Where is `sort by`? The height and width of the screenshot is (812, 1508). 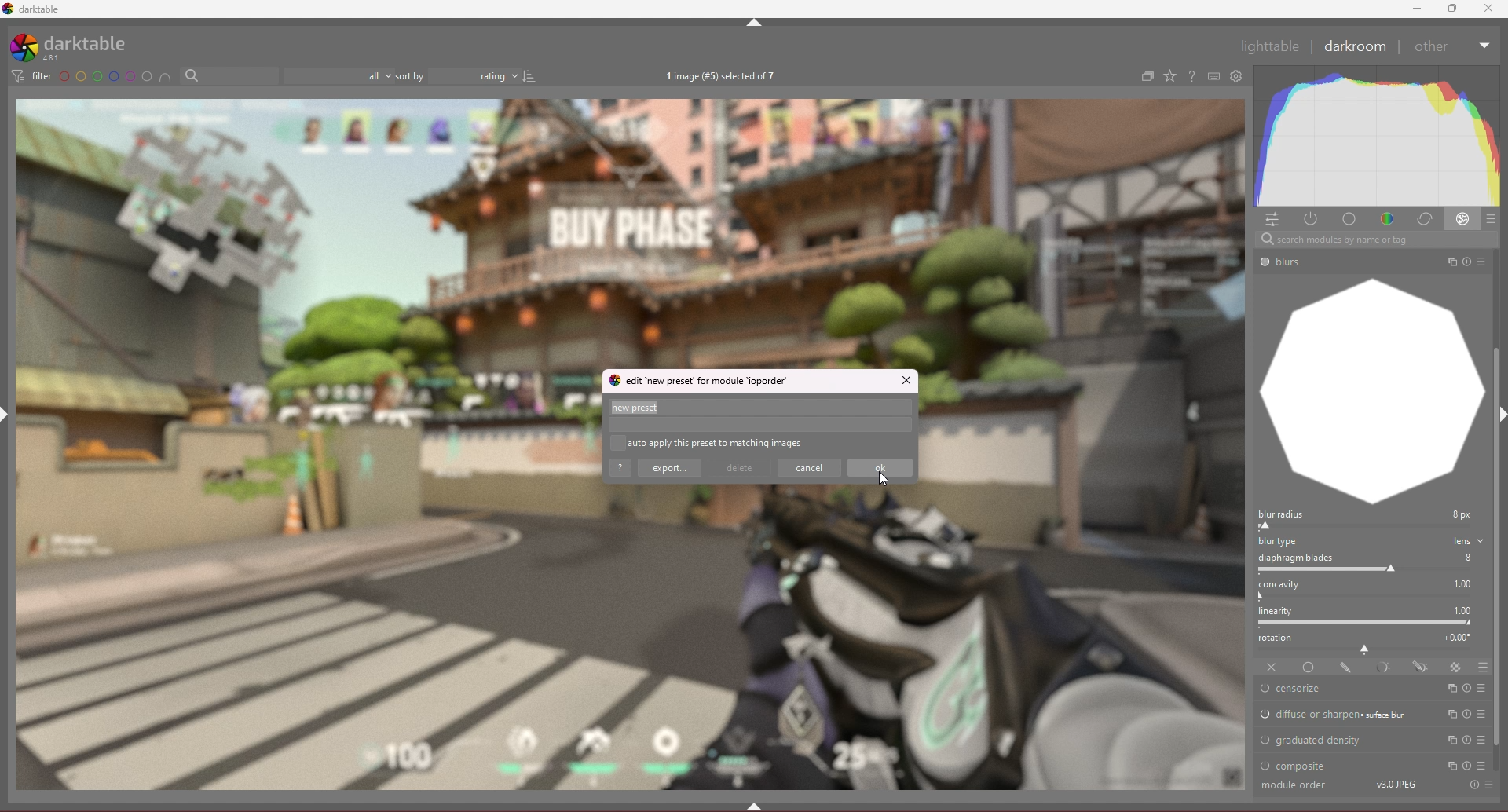 sort by is located at coordinates (410, 75).